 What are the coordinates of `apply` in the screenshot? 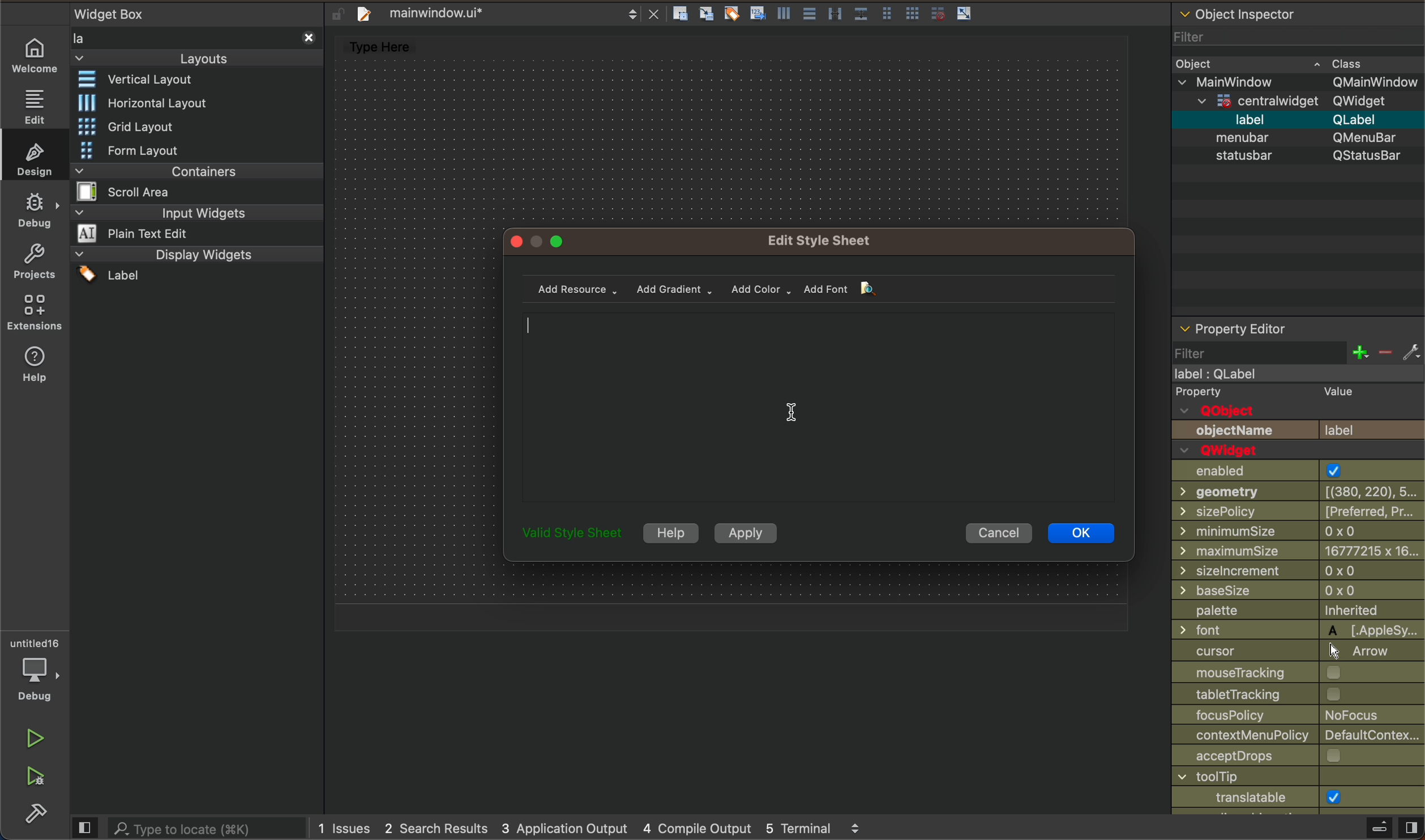 It's located at (752, 533).